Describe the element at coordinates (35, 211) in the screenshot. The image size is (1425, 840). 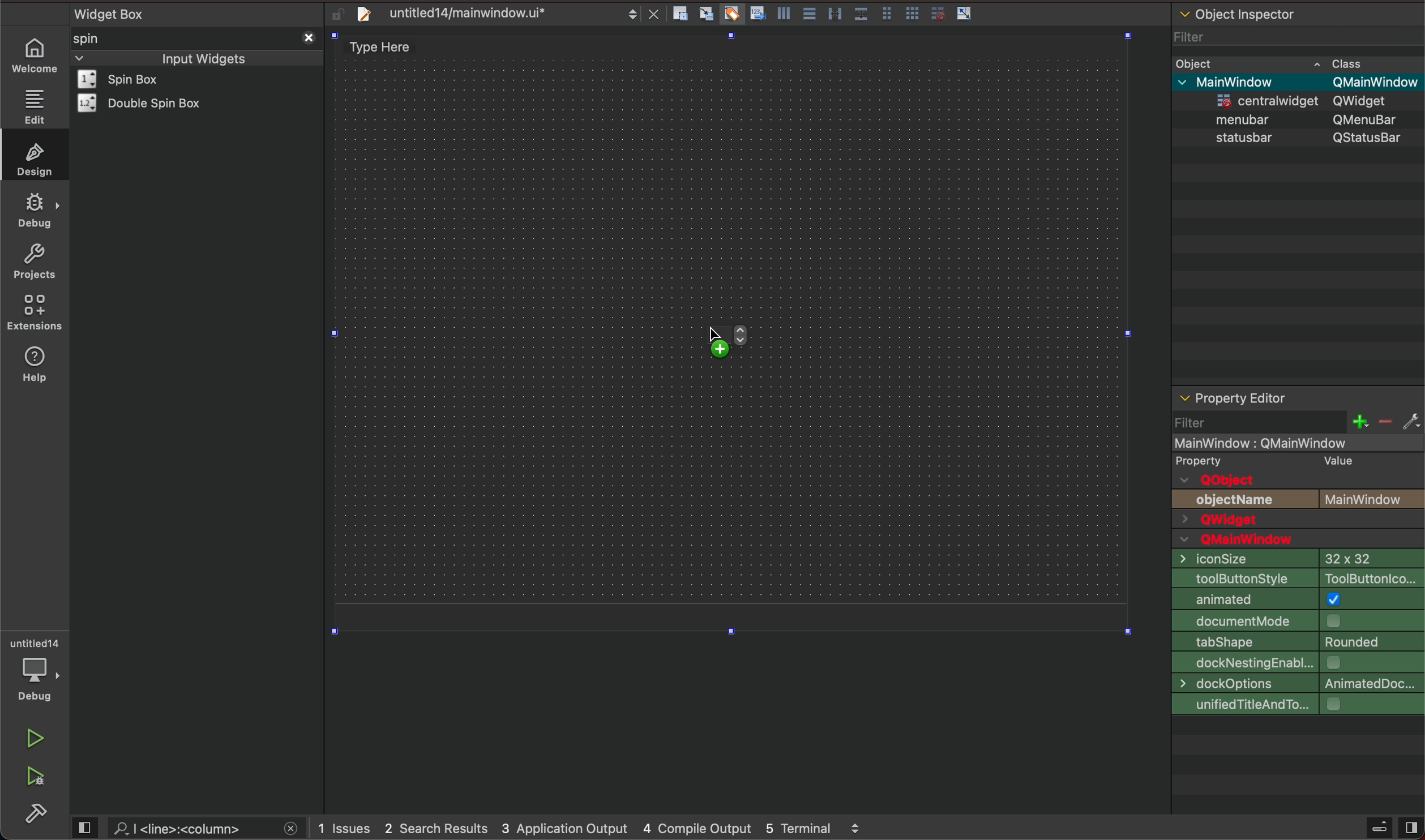
I see `debug` at that location.